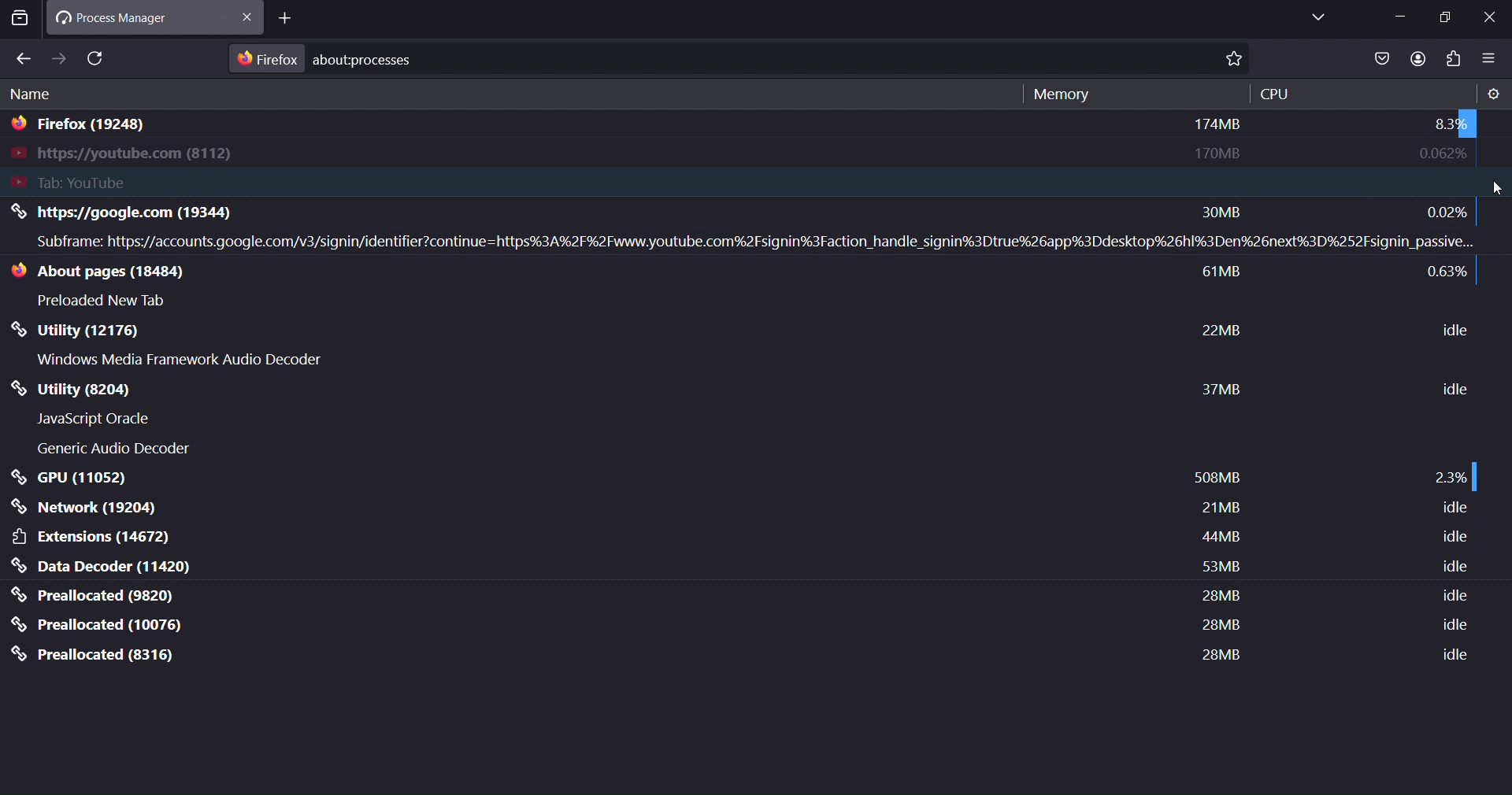 This screenshot has width=1512, height=795. I want to click on search all tabs, so click(20, 21).